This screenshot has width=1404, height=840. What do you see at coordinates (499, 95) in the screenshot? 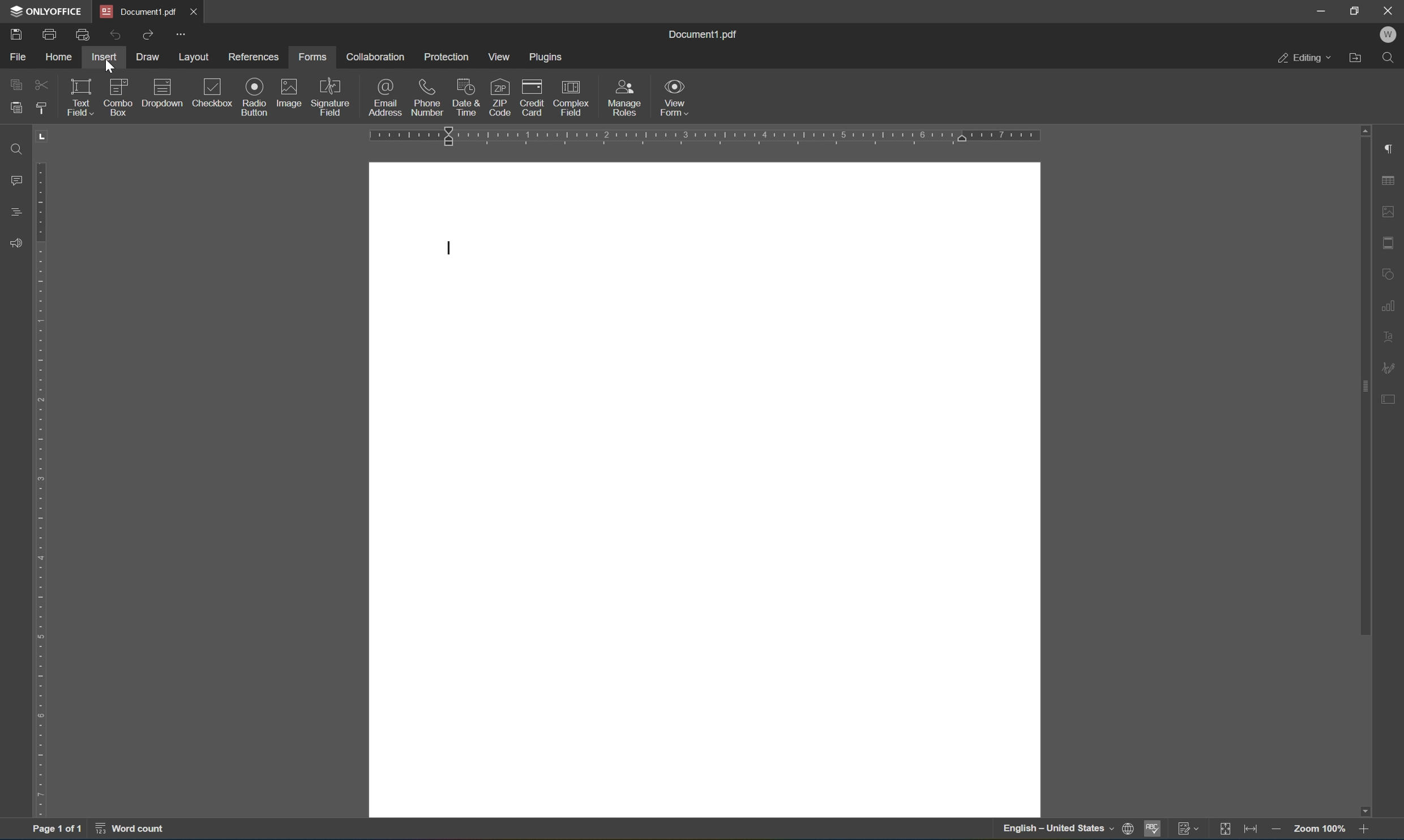
I see `zip code` at bounding box center [499, 95].